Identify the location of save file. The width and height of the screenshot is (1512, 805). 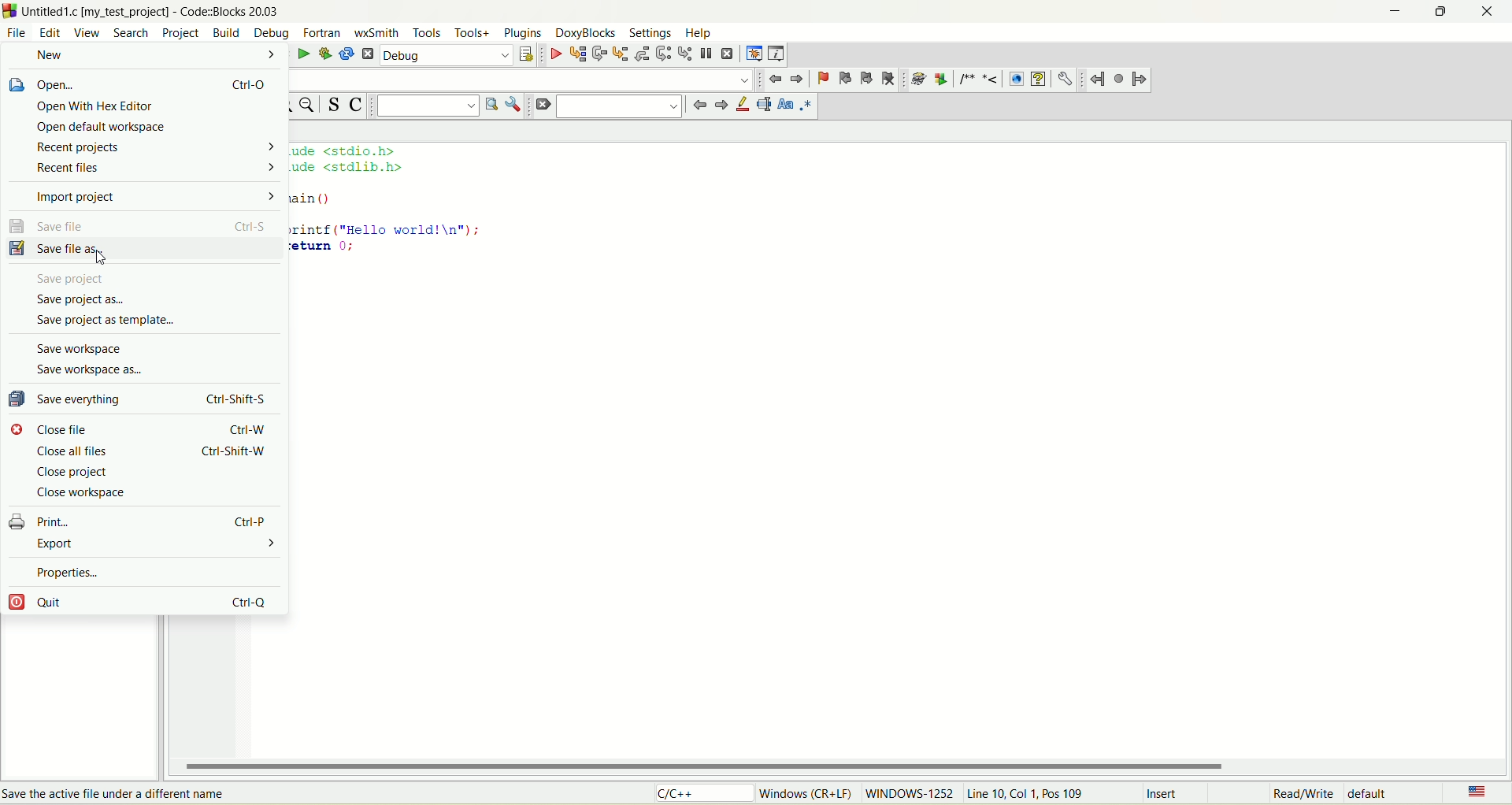
(143, 225).